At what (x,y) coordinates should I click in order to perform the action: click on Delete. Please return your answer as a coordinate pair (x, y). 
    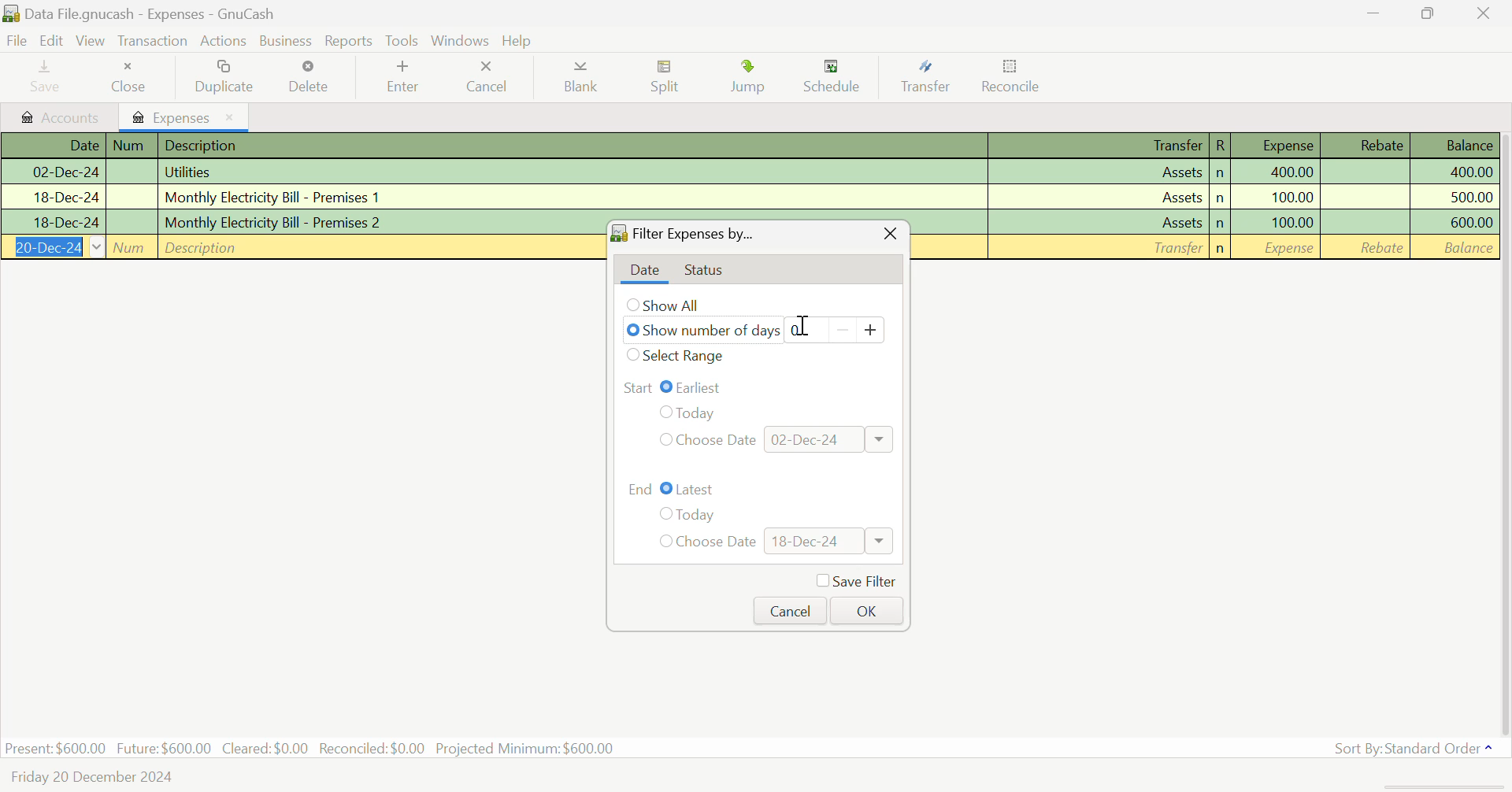
    Looking at the image, I should click on (315, 76).